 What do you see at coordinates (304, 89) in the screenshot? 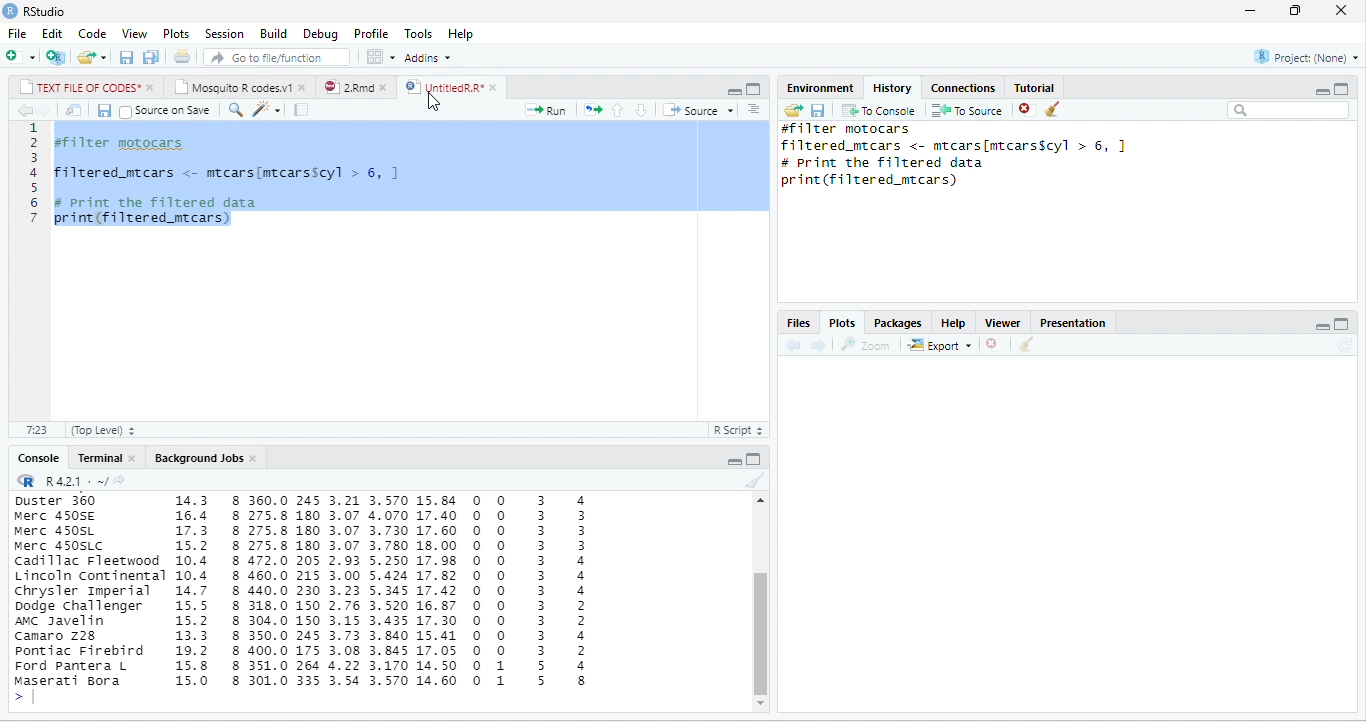
I see `close` at bounding box center [304, 89].